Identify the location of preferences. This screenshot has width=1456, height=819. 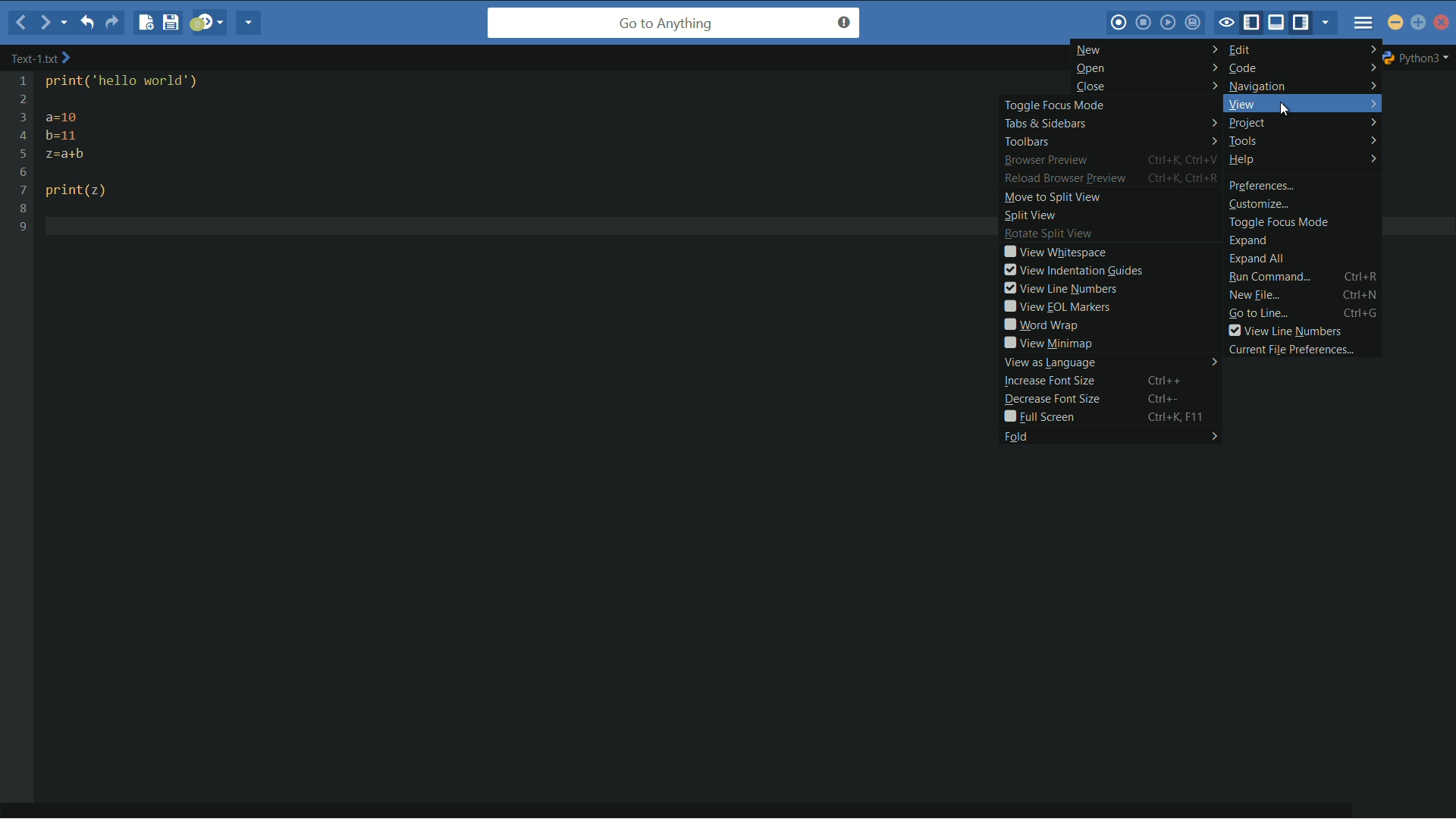
(1262, 185).